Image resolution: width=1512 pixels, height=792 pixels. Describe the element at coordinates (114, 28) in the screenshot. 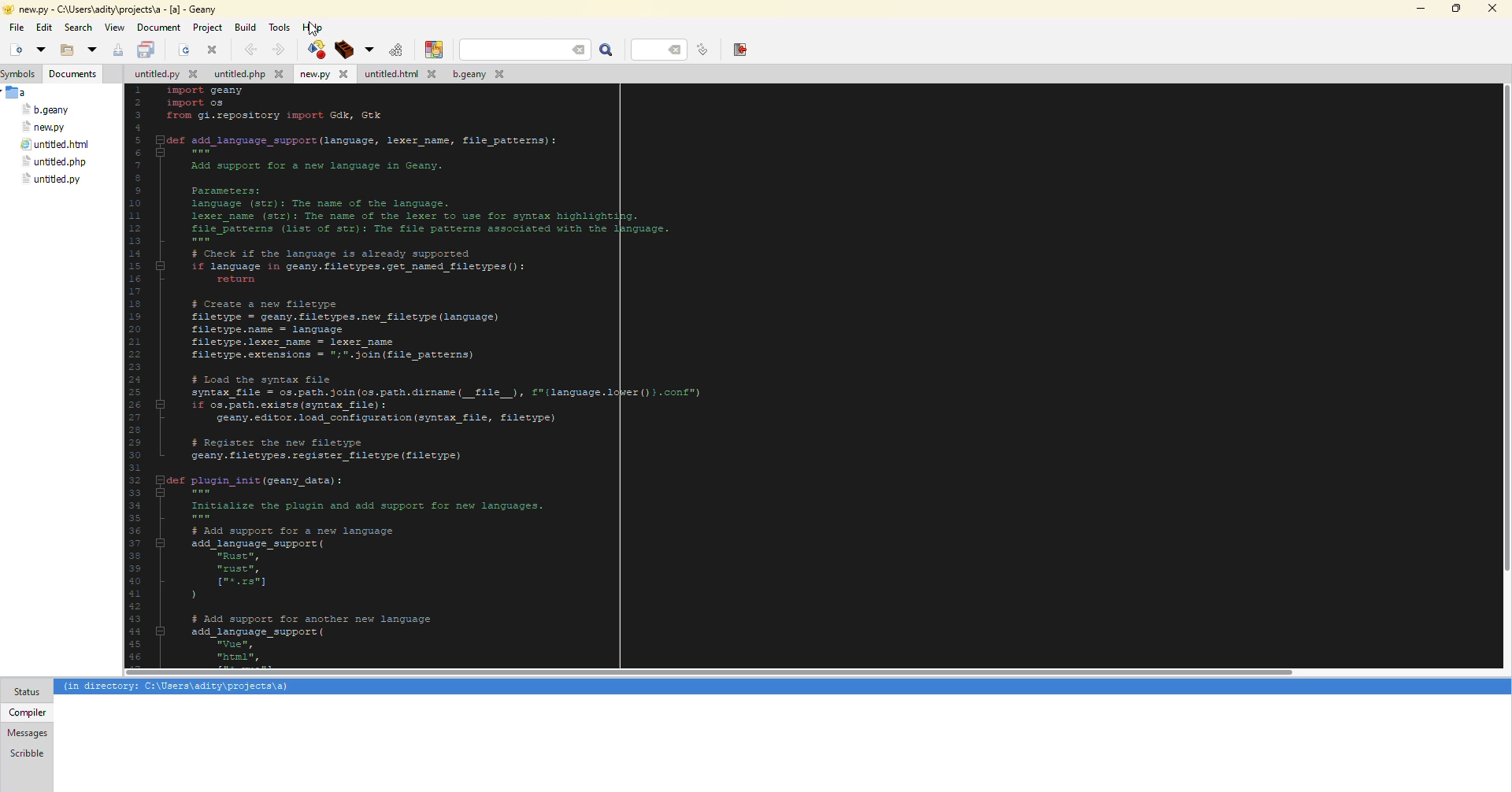

I see `view` at that location.